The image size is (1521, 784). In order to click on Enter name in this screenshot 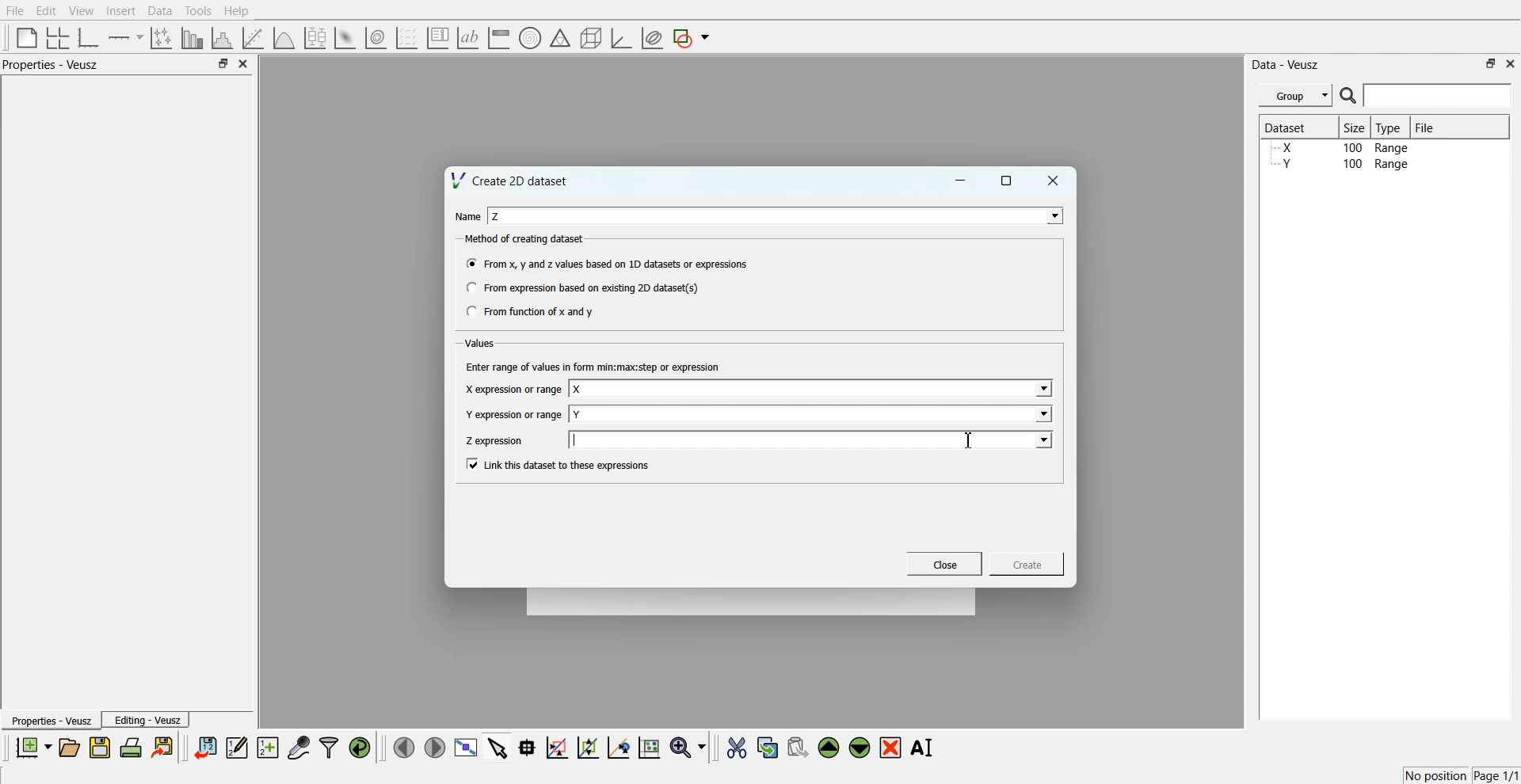, I will do `click(813, 413)`.